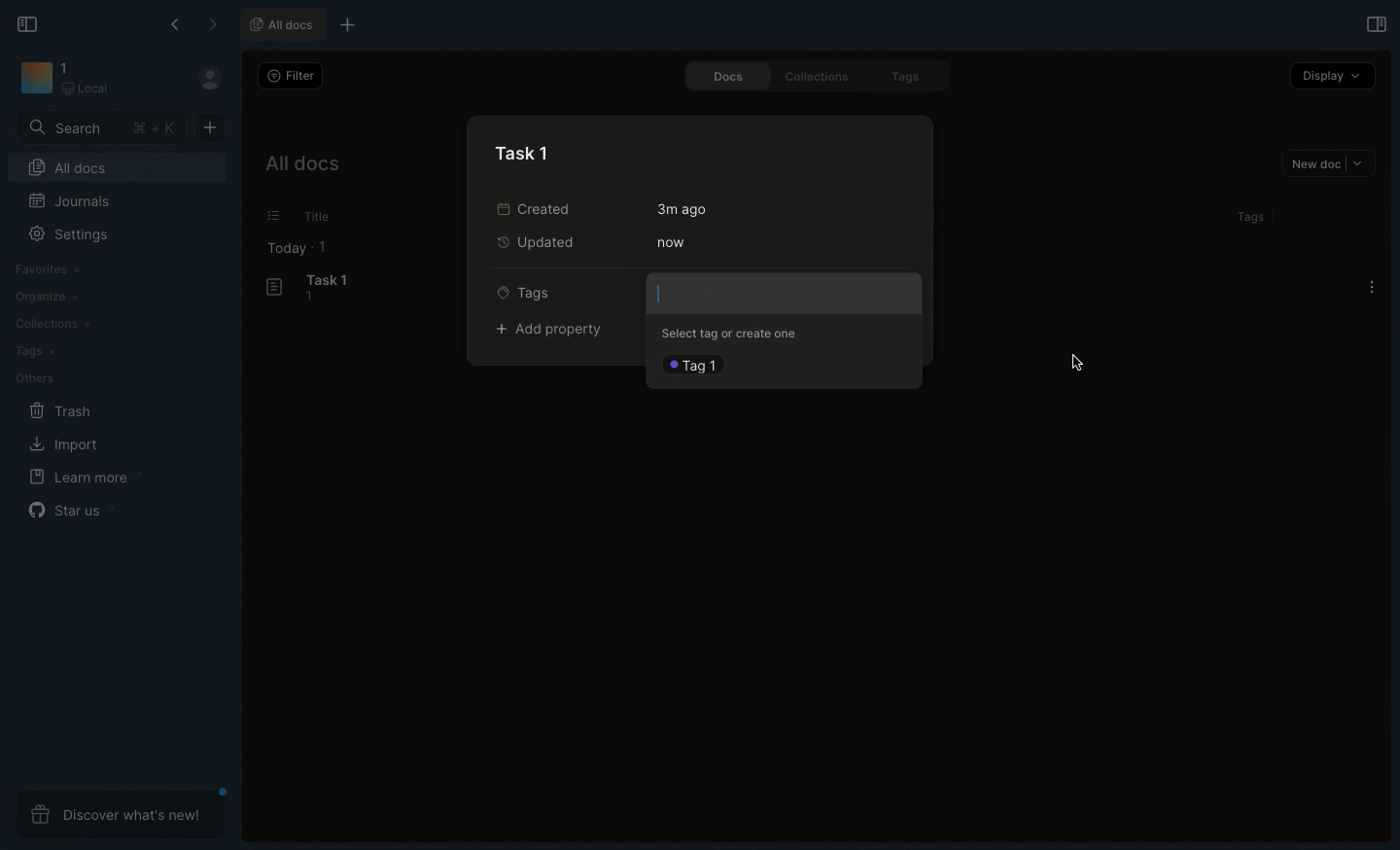  Describe the element at coordinates (345, 24) in the screenshot. I see `New tab` at that location.